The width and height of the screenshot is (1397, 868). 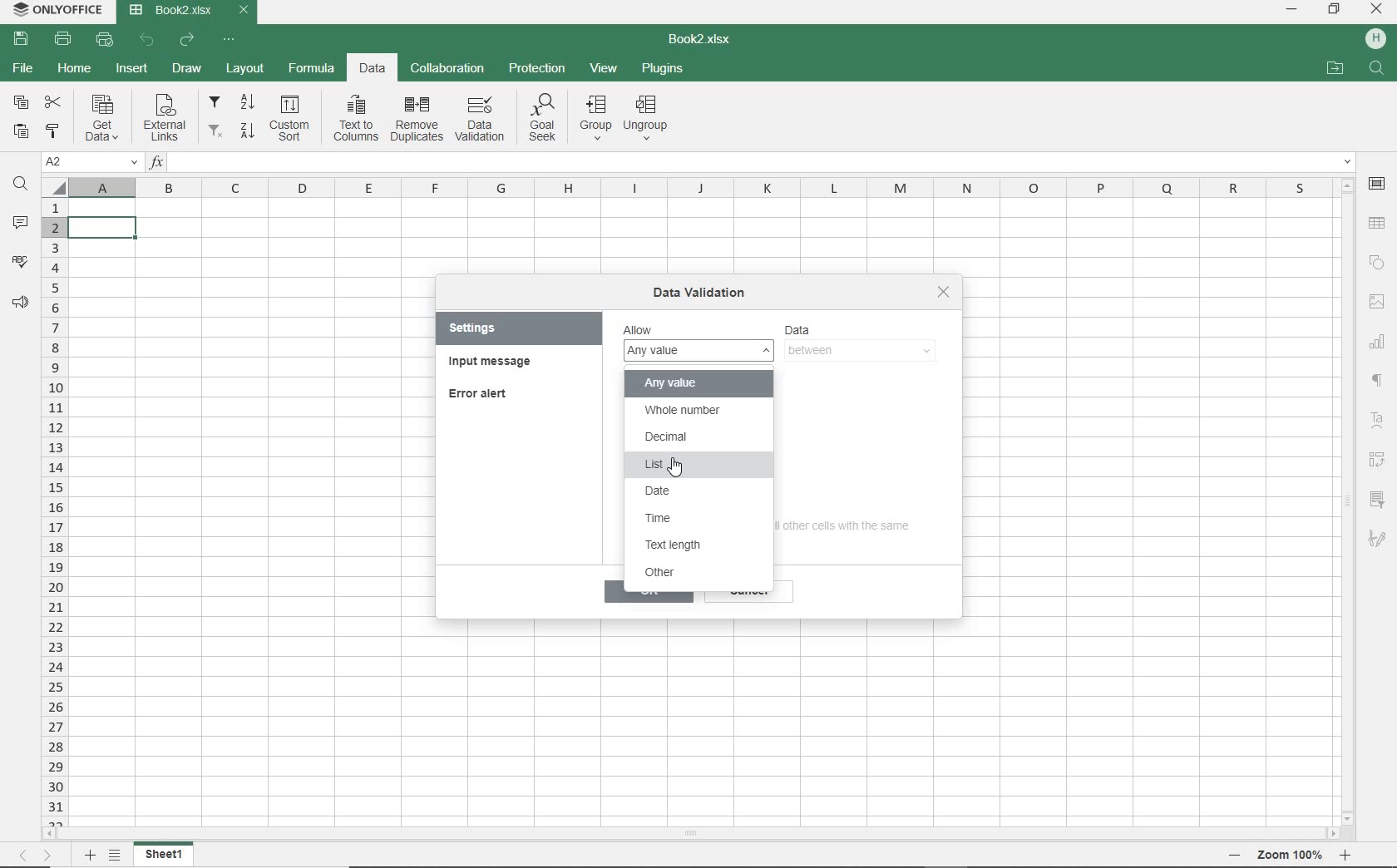 I want to click on REDO, so click(x=187, y=41).